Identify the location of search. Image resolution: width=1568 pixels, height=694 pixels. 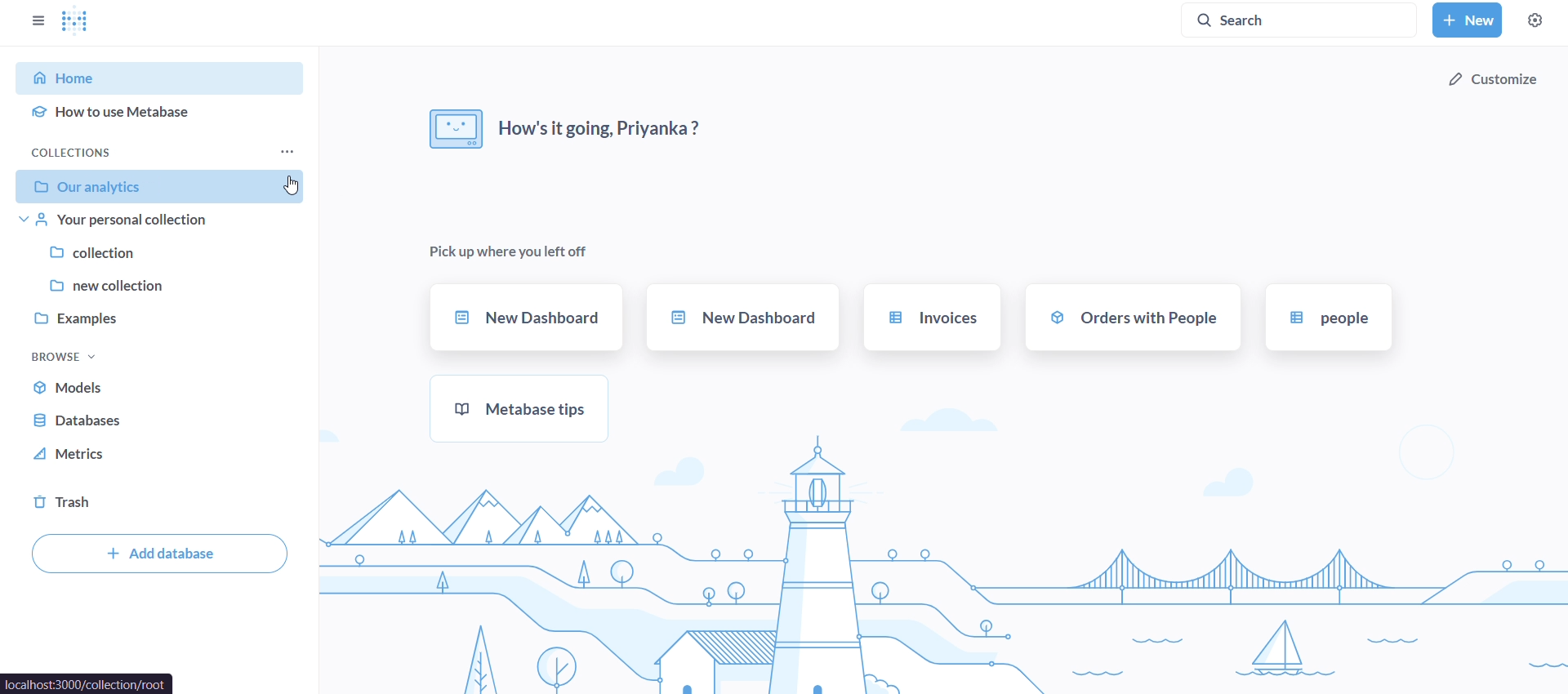
(1304, 19).